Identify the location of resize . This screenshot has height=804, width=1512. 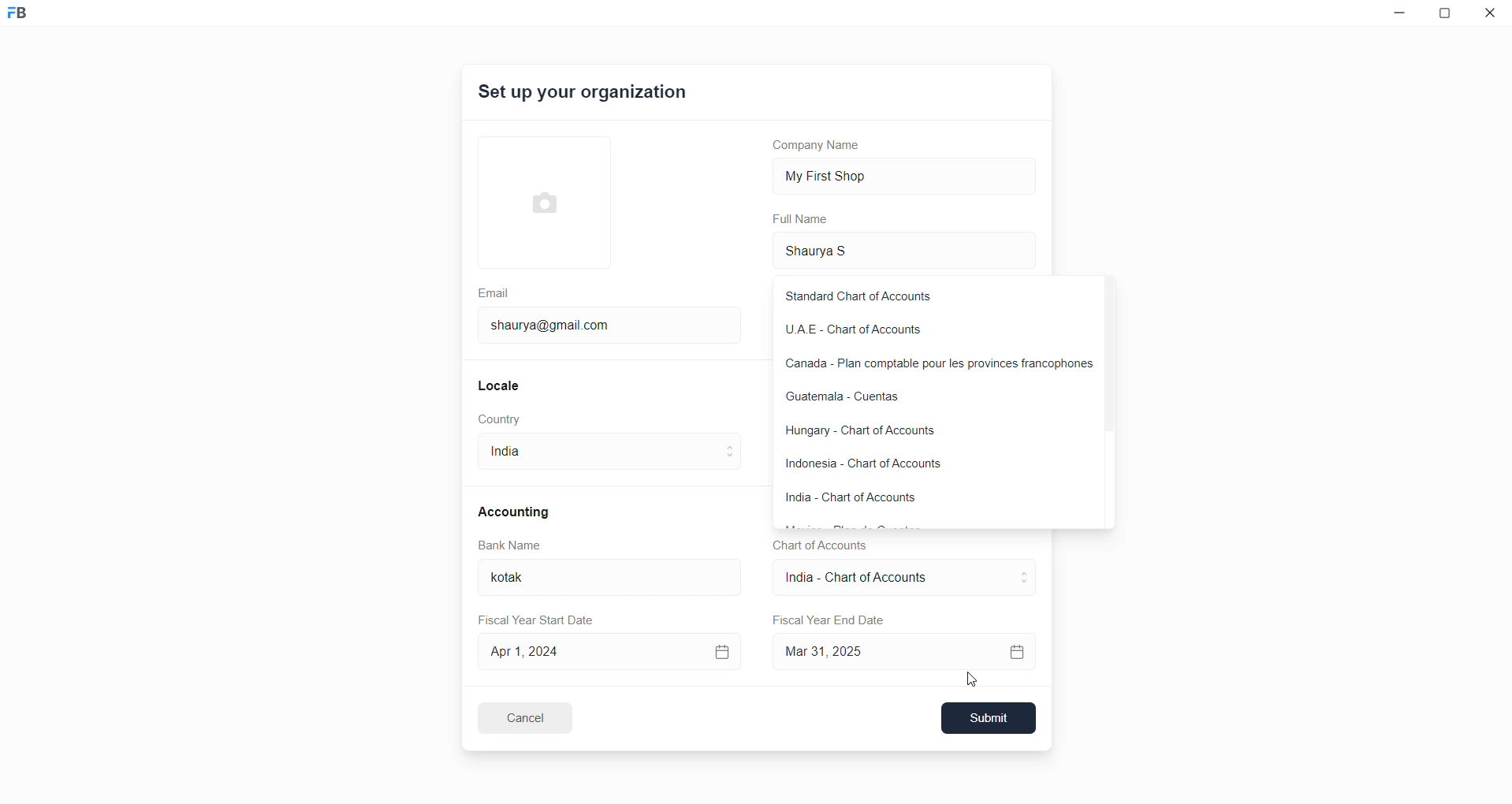
(1449, 16).